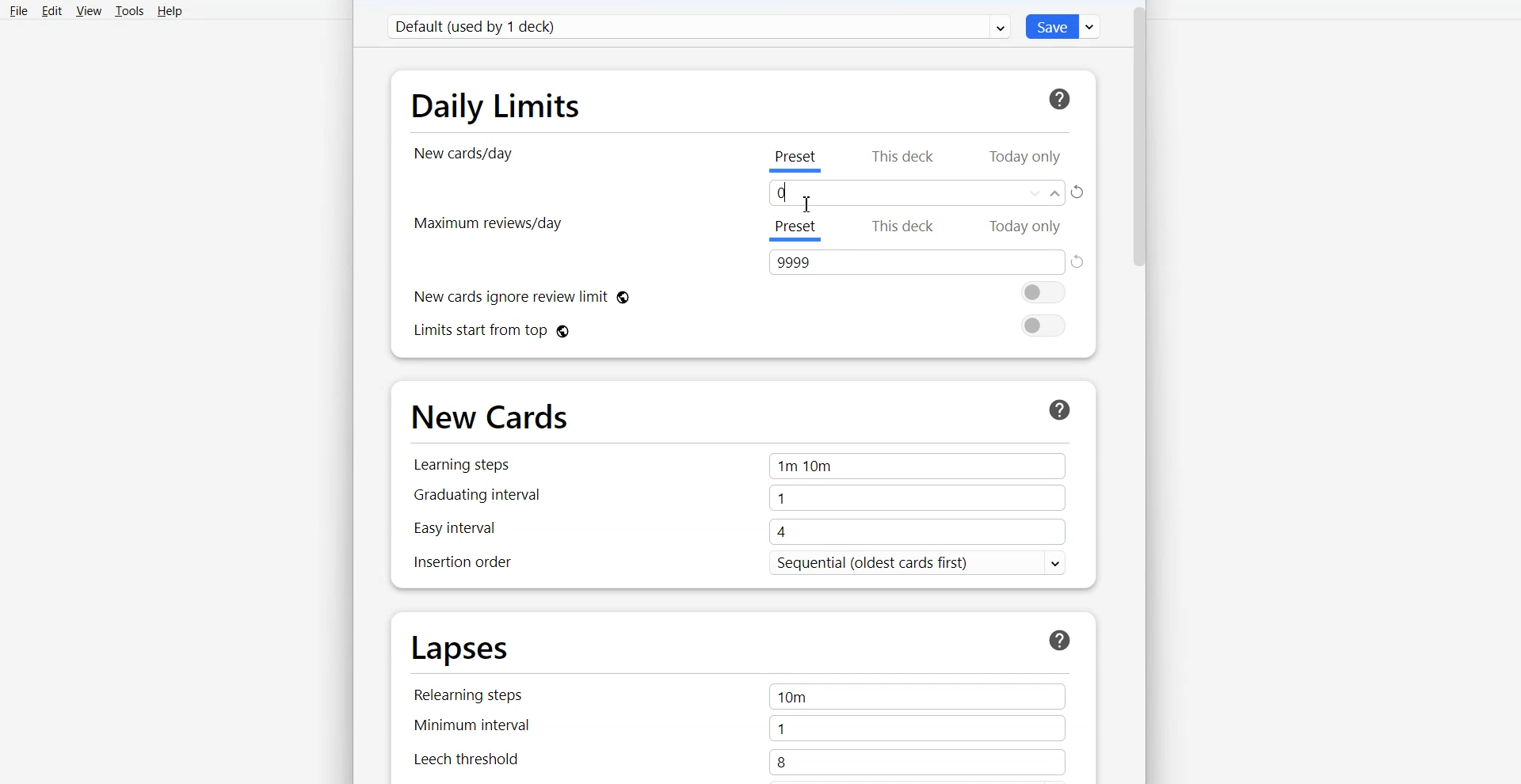 The image size is (1521, 784). I want to click on 1m 10m, so click(912, 466).